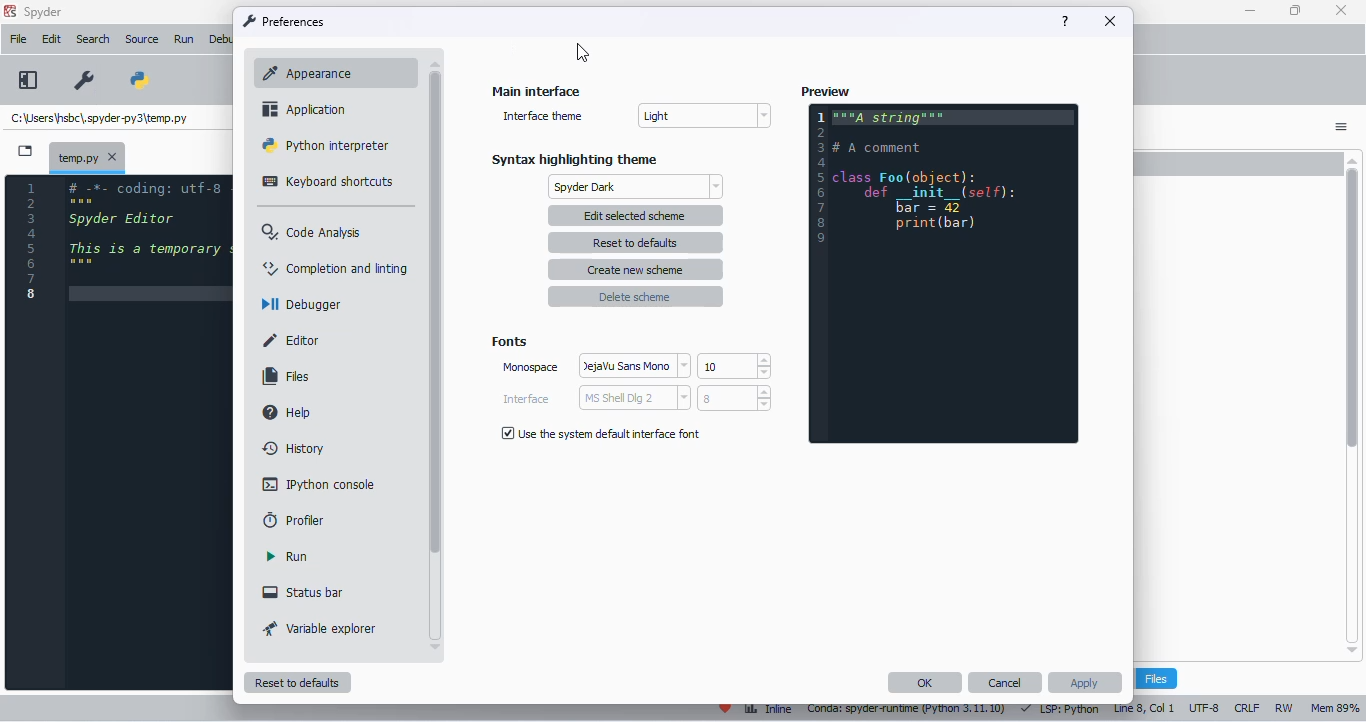  I want to click on delete scheme, so click(636, 297).